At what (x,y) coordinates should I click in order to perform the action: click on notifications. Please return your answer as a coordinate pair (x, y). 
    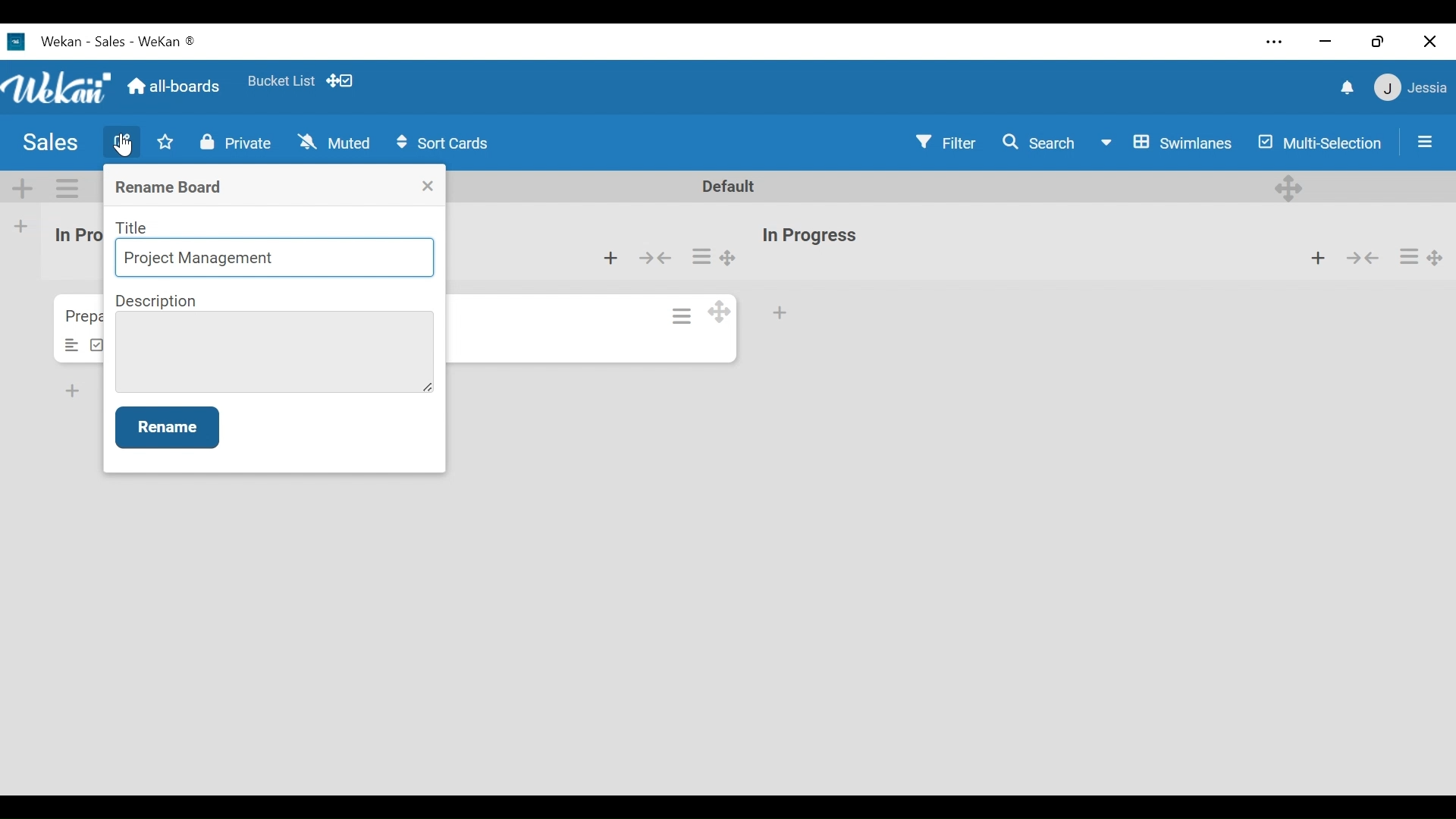
    Looking at the image, I should click on (1349, 88).